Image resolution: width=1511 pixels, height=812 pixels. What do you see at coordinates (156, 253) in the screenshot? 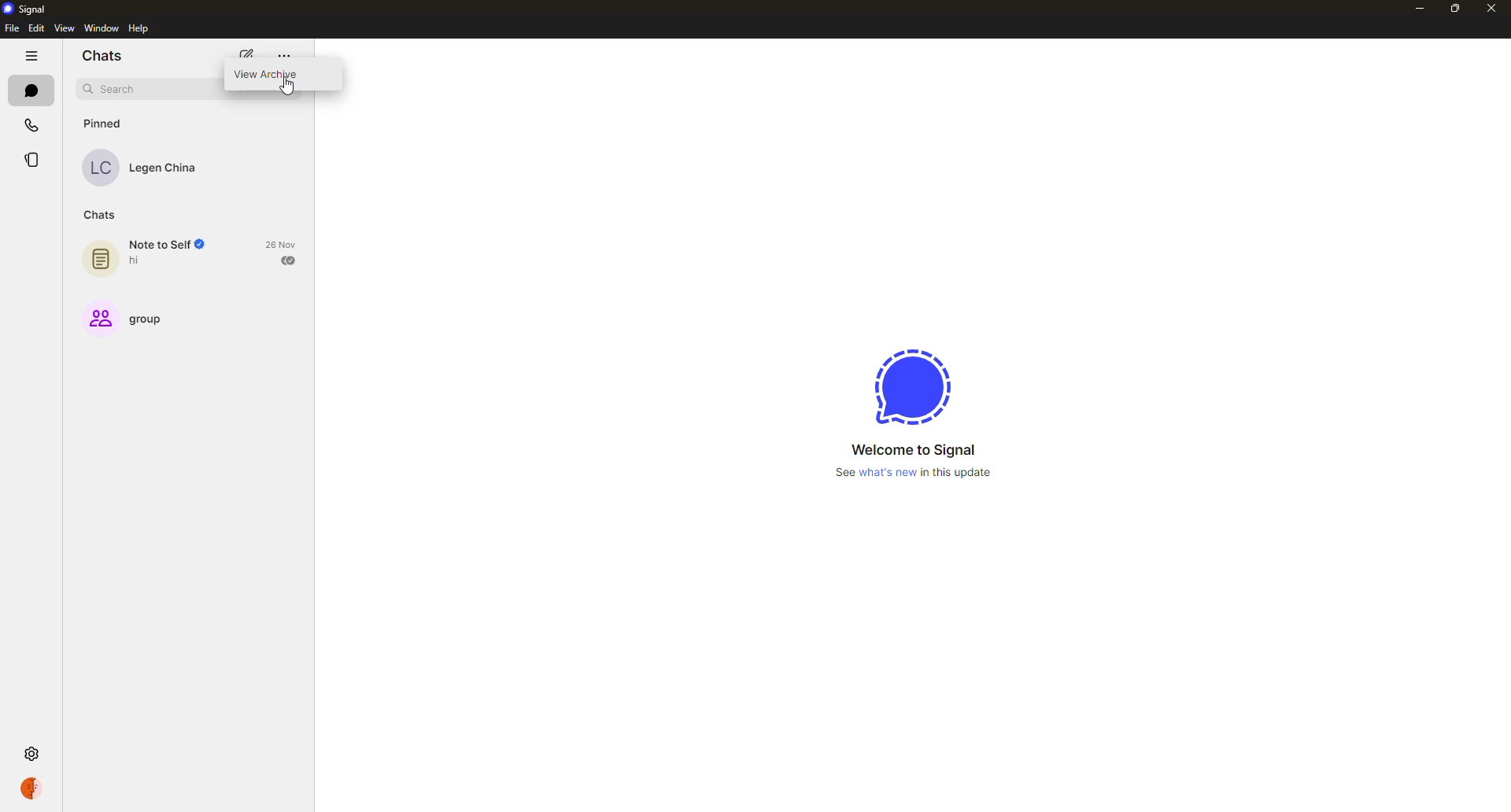
I see `note to self` at bounding box center [156, 253].